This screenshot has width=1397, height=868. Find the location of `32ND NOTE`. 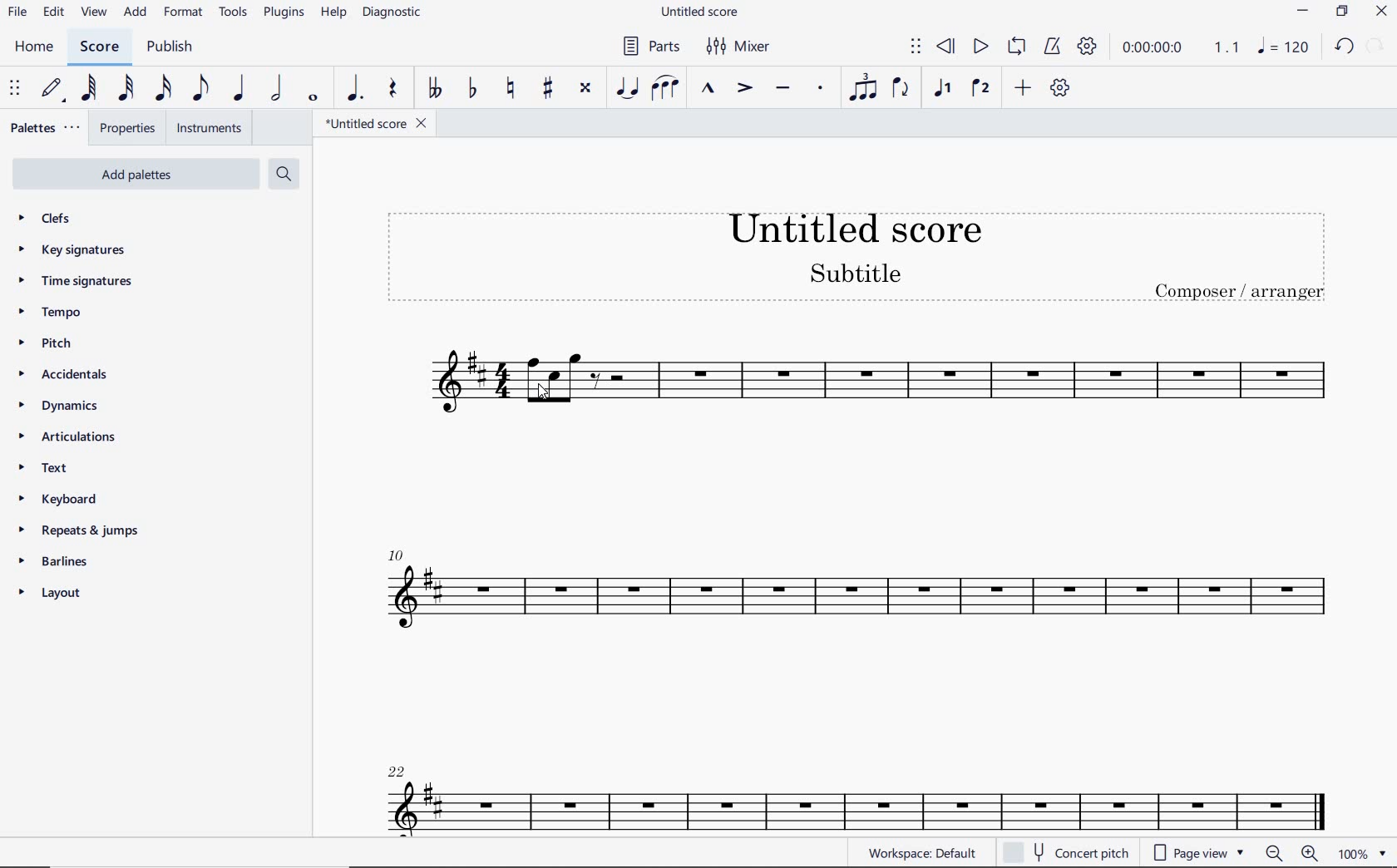

32ND NOTE is located at coordinates (125, 89).